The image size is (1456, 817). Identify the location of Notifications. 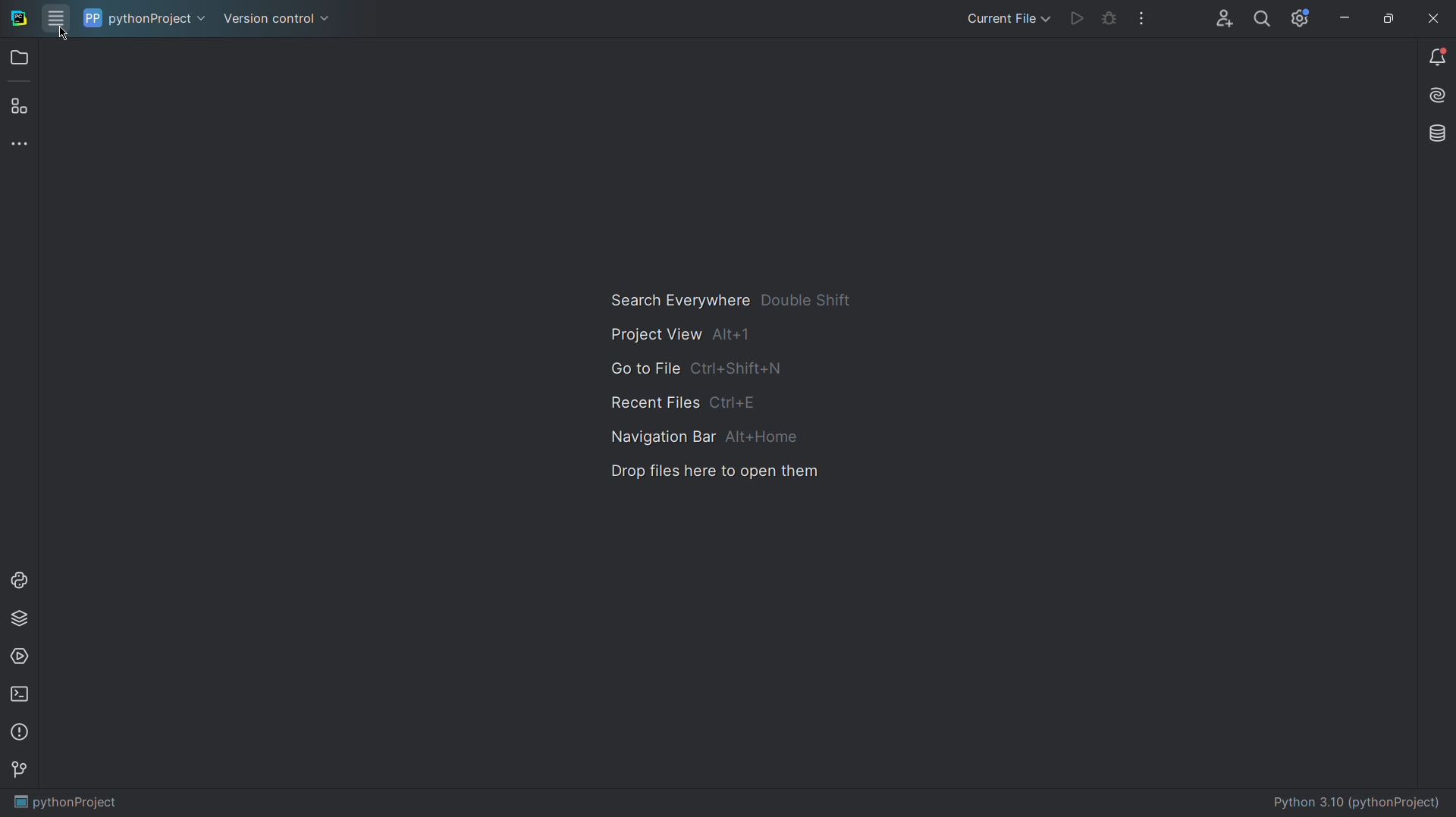
(1436, 58).